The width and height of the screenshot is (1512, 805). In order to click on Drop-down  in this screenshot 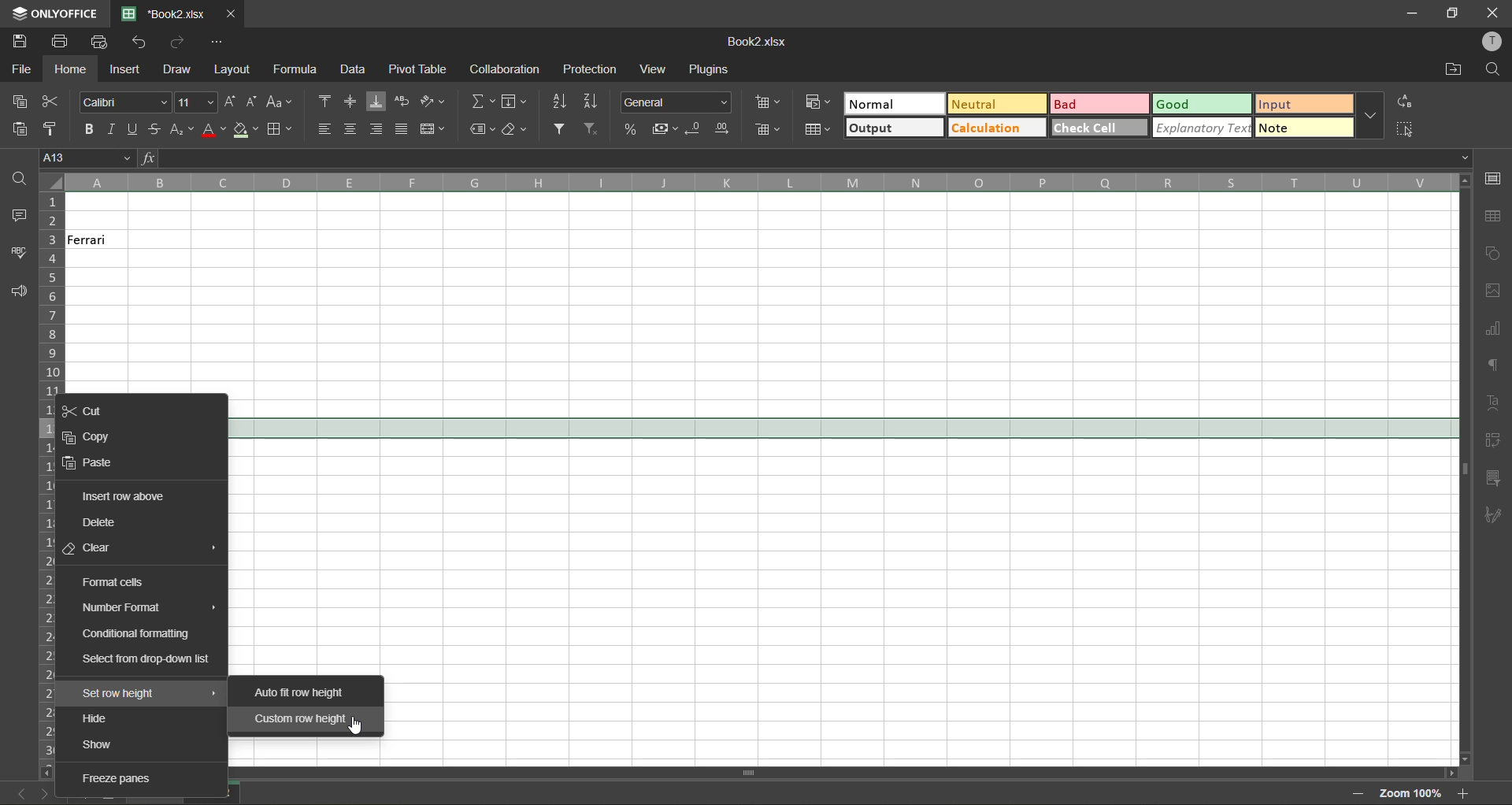, I will do `click(1467, 157)`.